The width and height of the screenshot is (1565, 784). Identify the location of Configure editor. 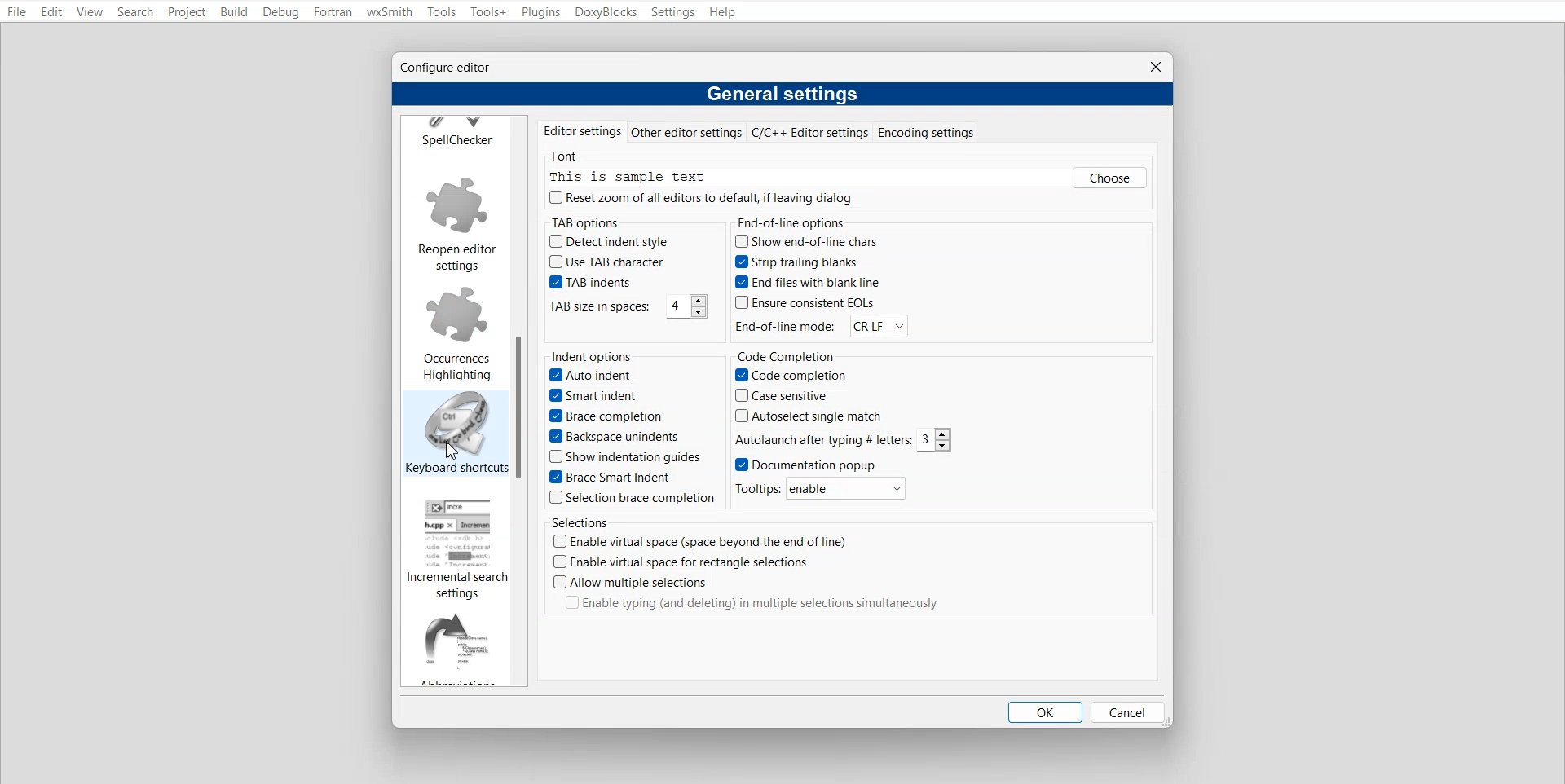
(450, 68).